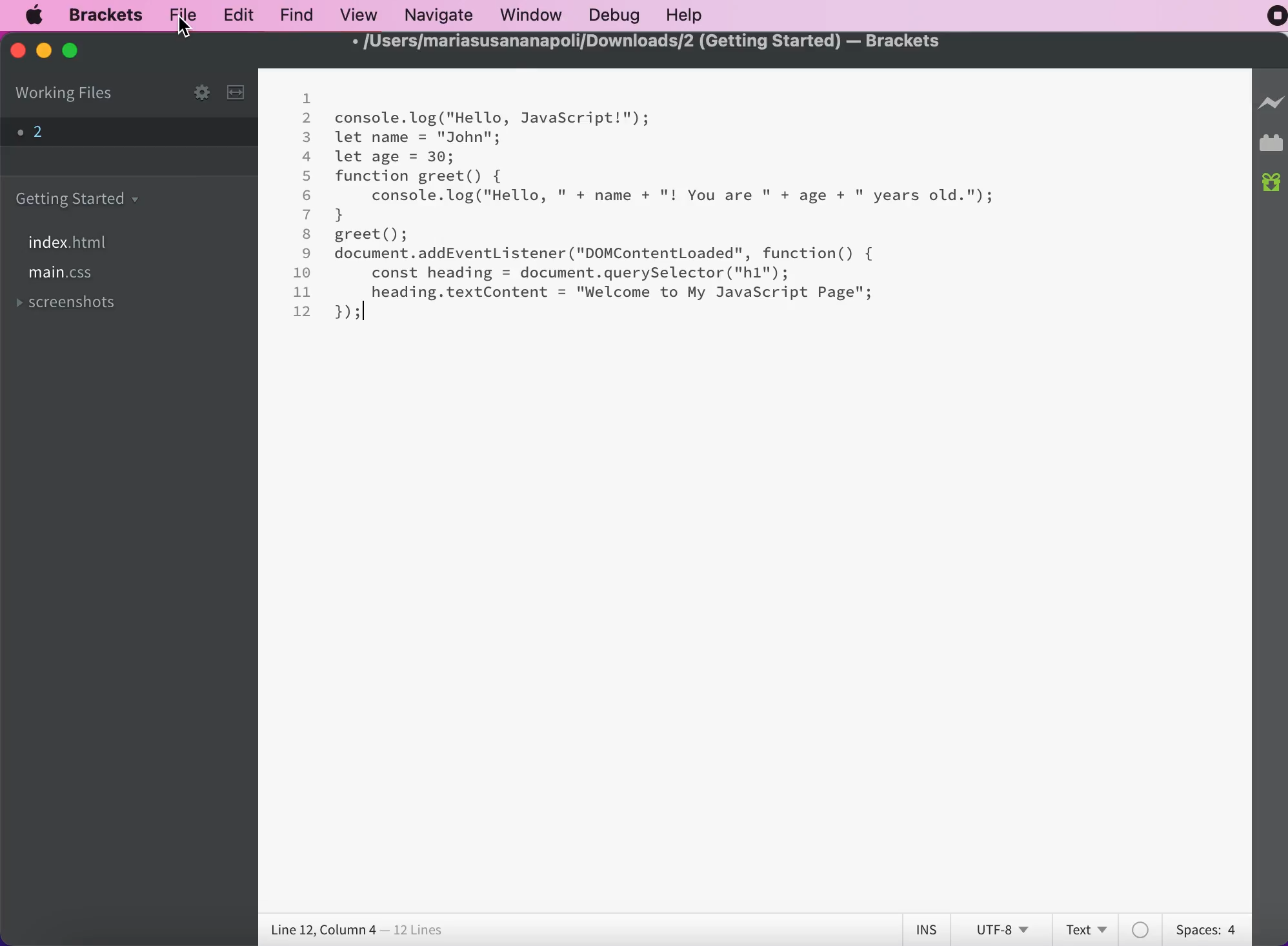 The width and height of the screenshot is (1288, 946). Describe the element at coordinates (308, 253) in the screenshot. I see `9` at that location.